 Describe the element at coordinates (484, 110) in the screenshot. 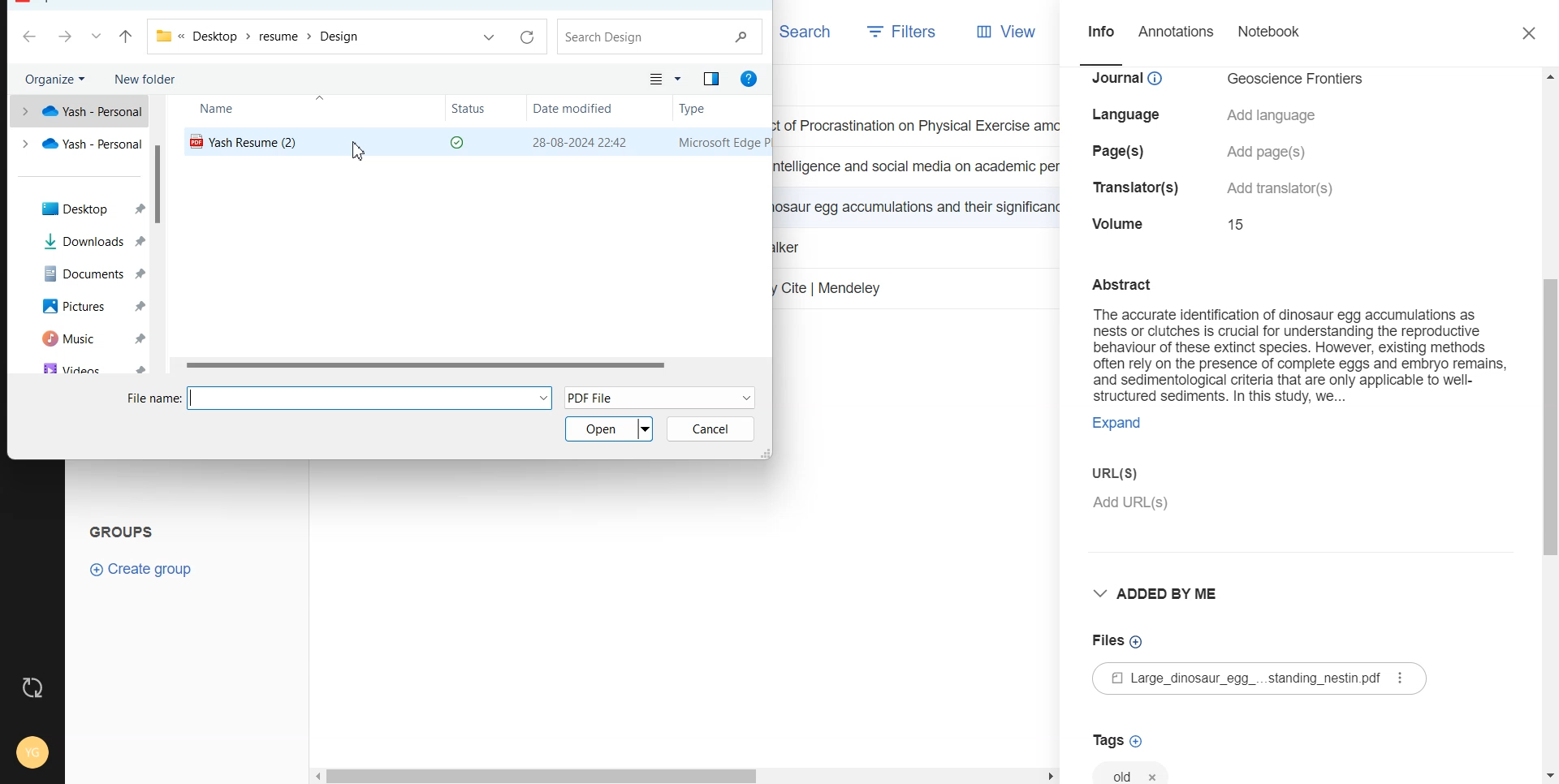

I see `Status` at that location.